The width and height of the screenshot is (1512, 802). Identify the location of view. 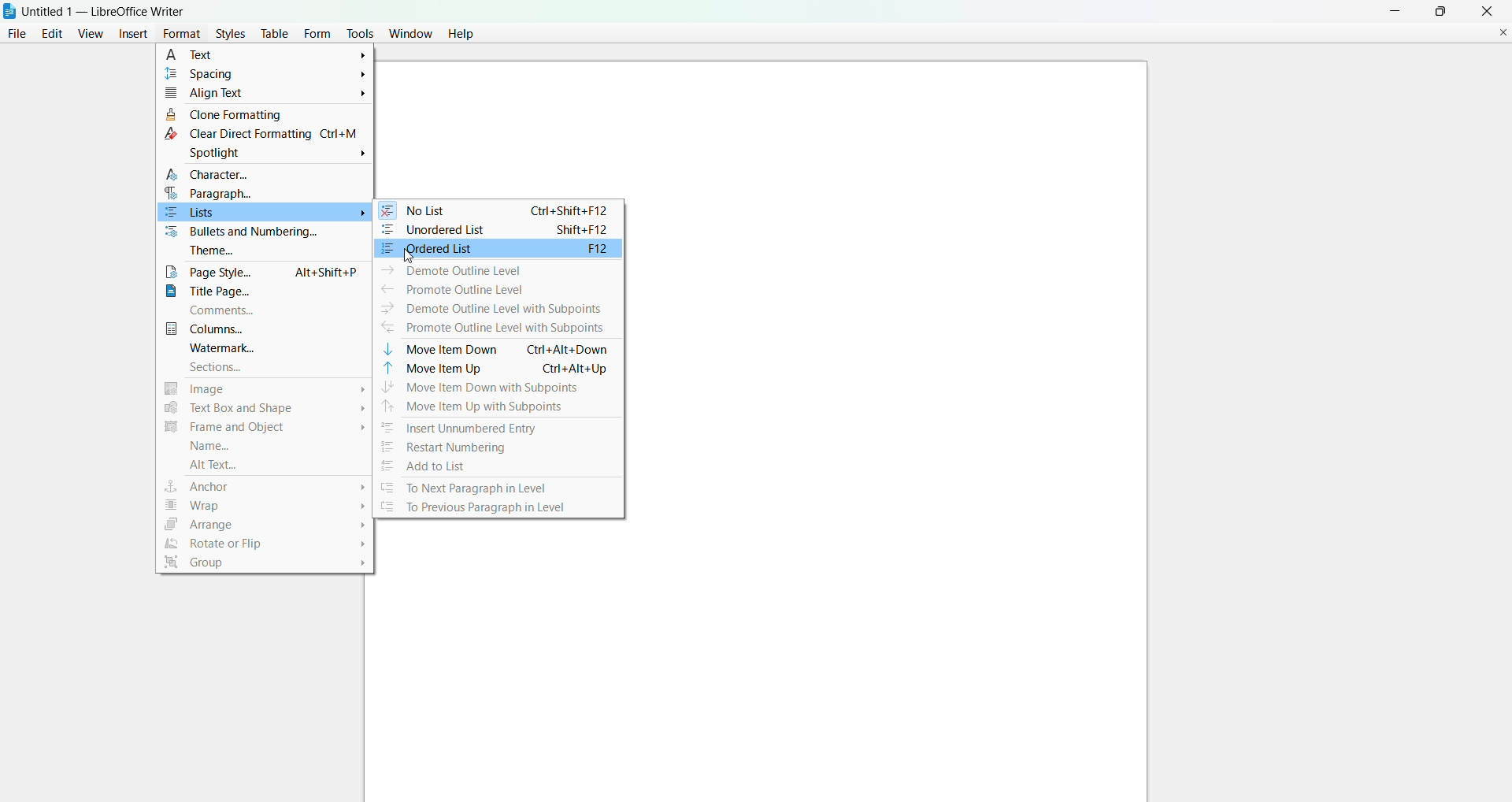
(91, 32).